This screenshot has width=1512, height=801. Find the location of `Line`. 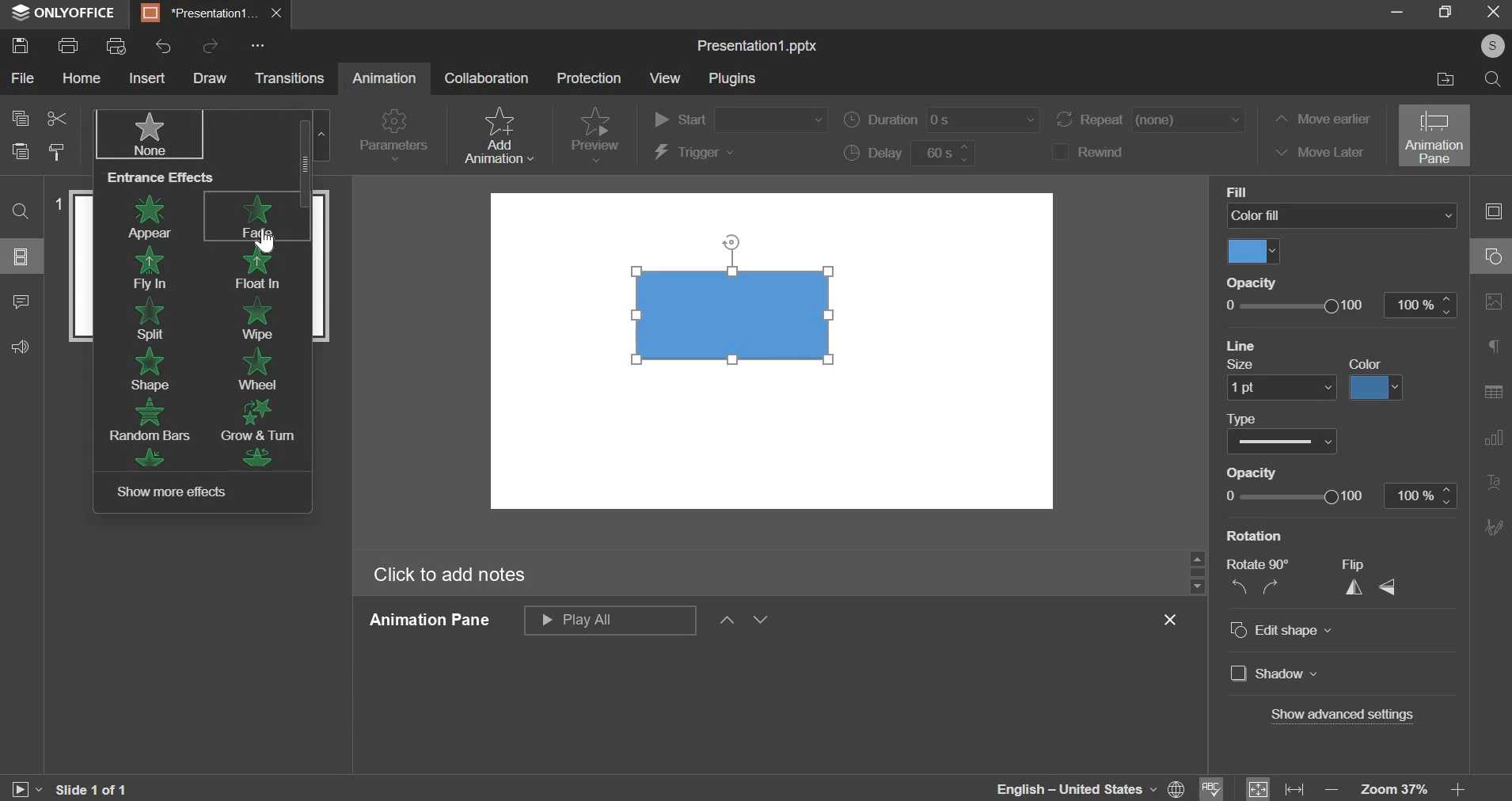

Line is located at coordinates (1244, 345).